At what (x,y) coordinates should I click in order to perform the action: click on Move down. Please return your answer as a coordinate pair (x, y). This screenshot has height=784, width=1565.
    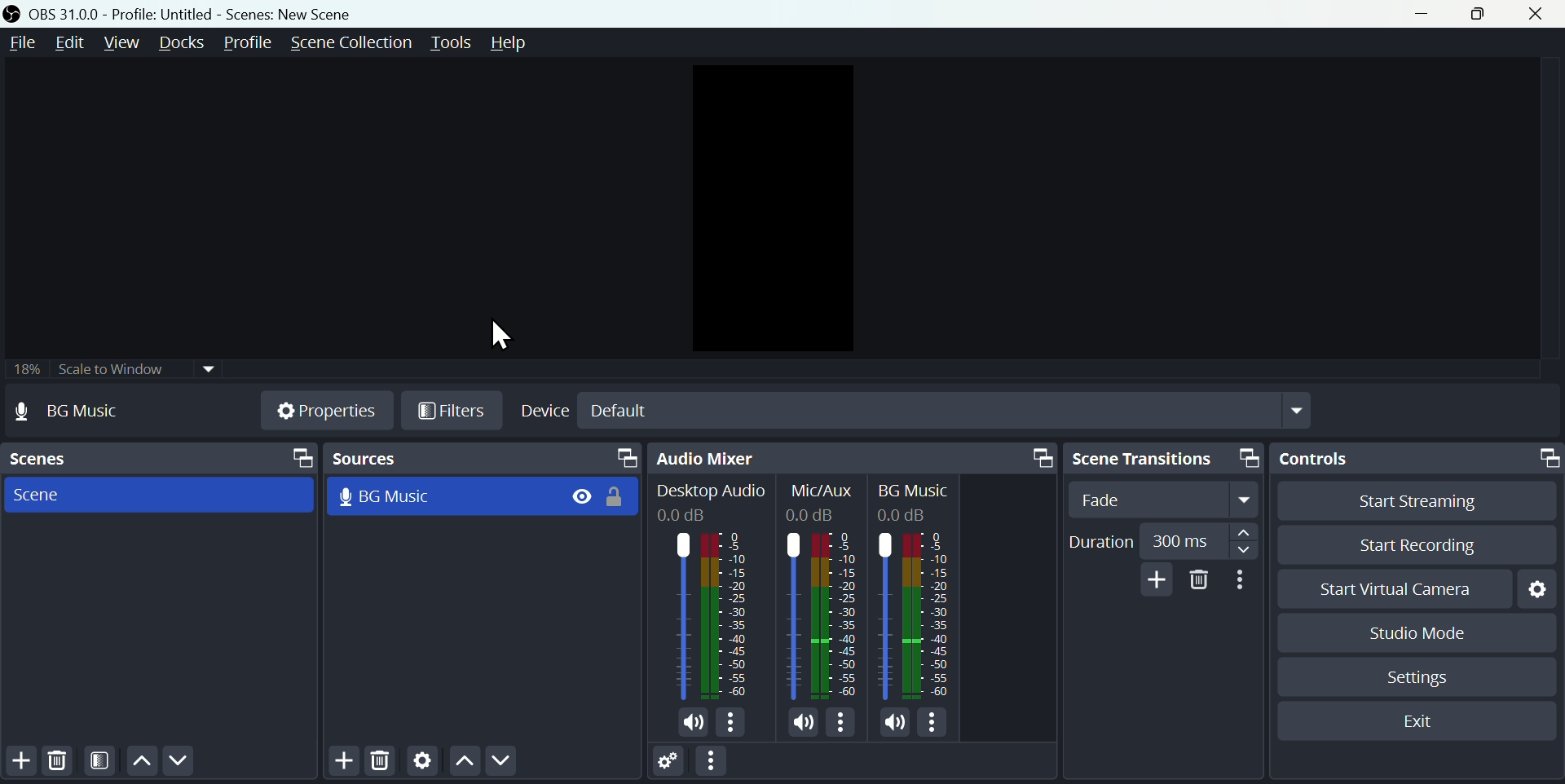
    Looking at the image, I should click on (181, 762).